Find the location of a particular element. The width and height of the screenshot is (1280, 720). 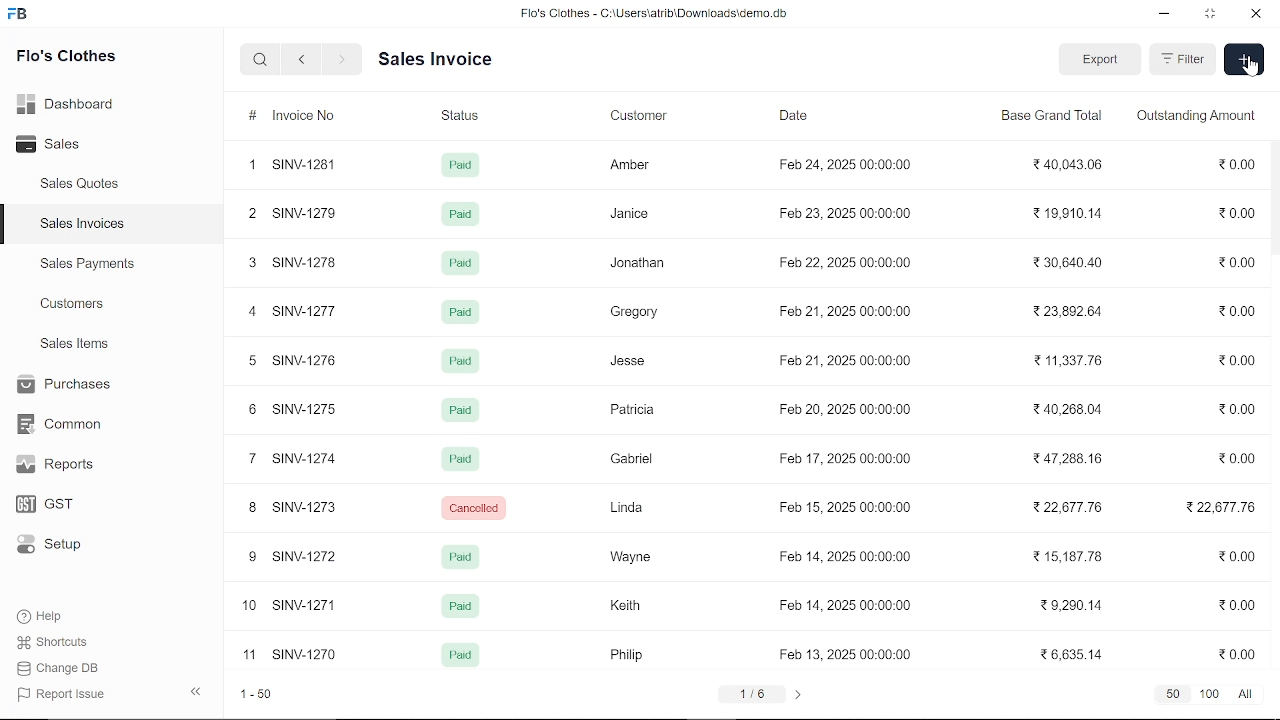

Report Issue is located at coordinates (61, 693).